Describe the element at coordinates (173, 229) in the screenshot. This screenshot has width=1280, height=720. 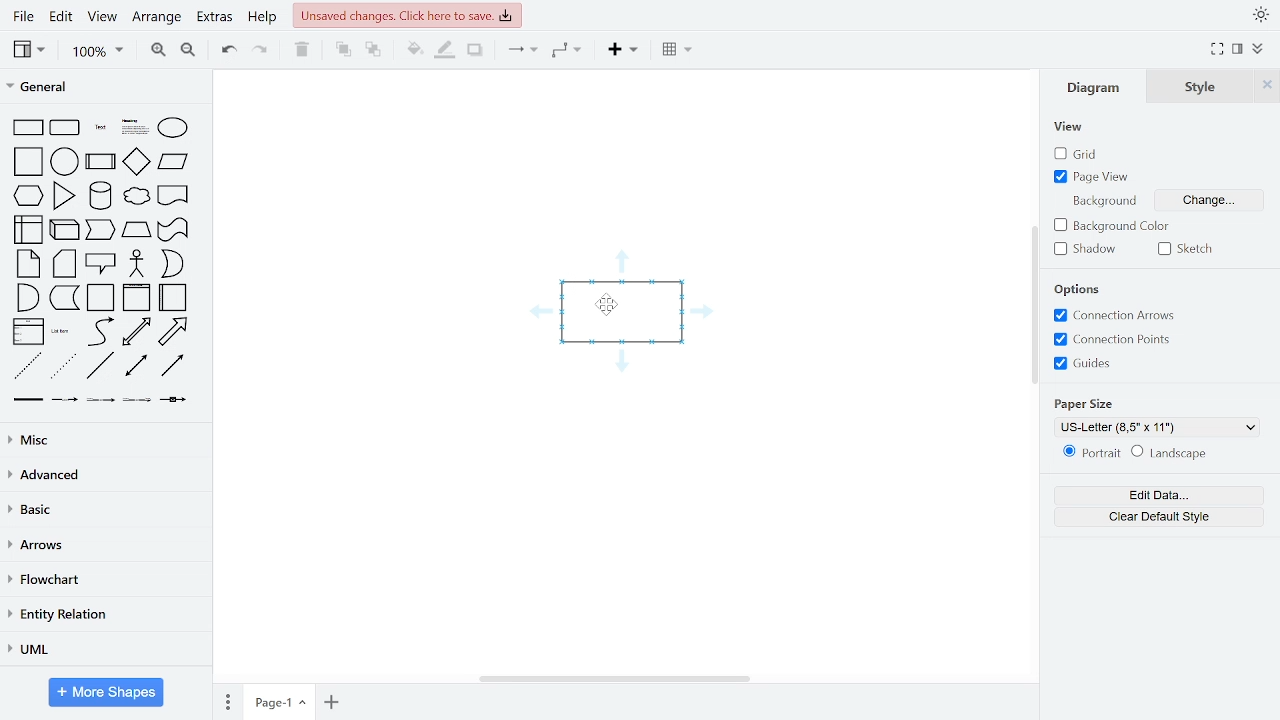
I see `trapezoid` at that location.